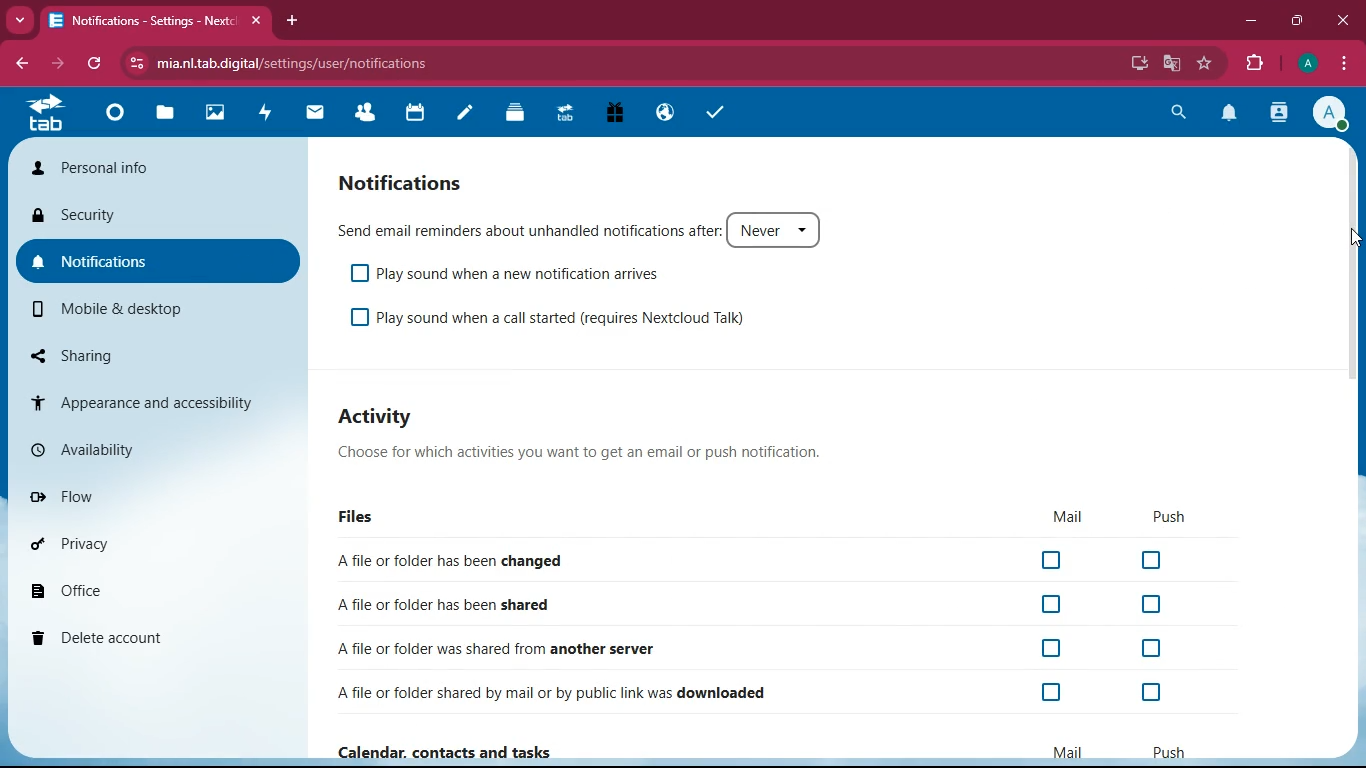  What do you see at coordinates (1342, 22) in the screenshot?
I see `close` at bounding box center [1342, 22].